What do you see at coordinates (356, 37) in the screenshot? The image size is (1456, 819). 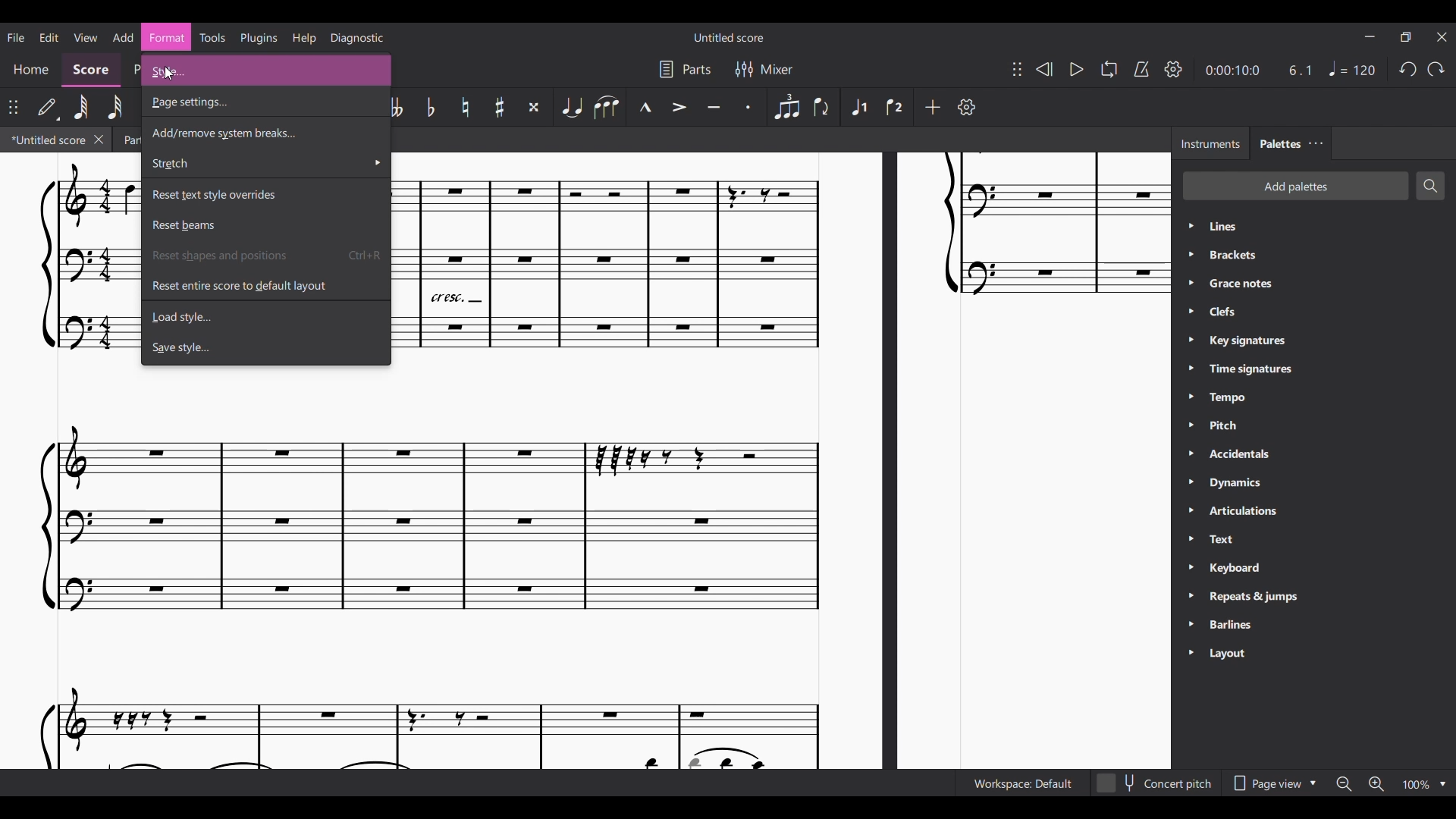 I see `Diagnostic menu` at bounding box center [356, 37].